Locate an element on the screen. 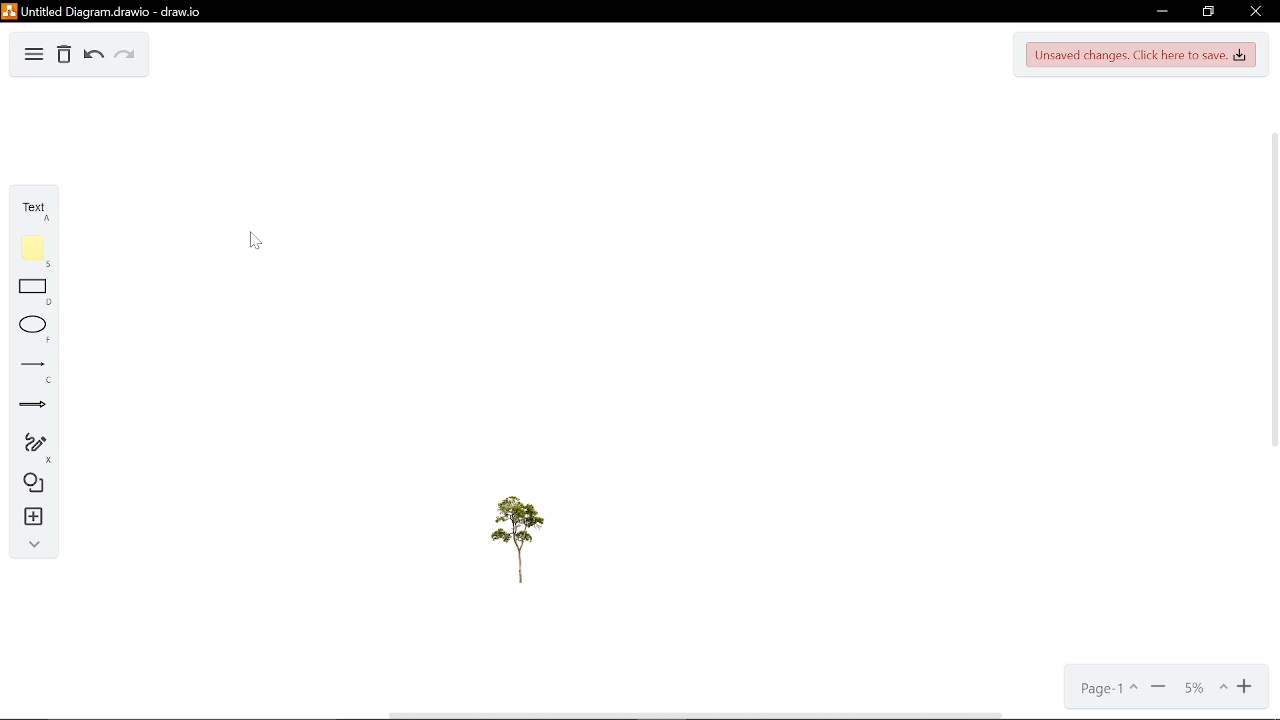 The height and width of the screenshot is (720, 1280). Current window is located at coordinates (110, 10).